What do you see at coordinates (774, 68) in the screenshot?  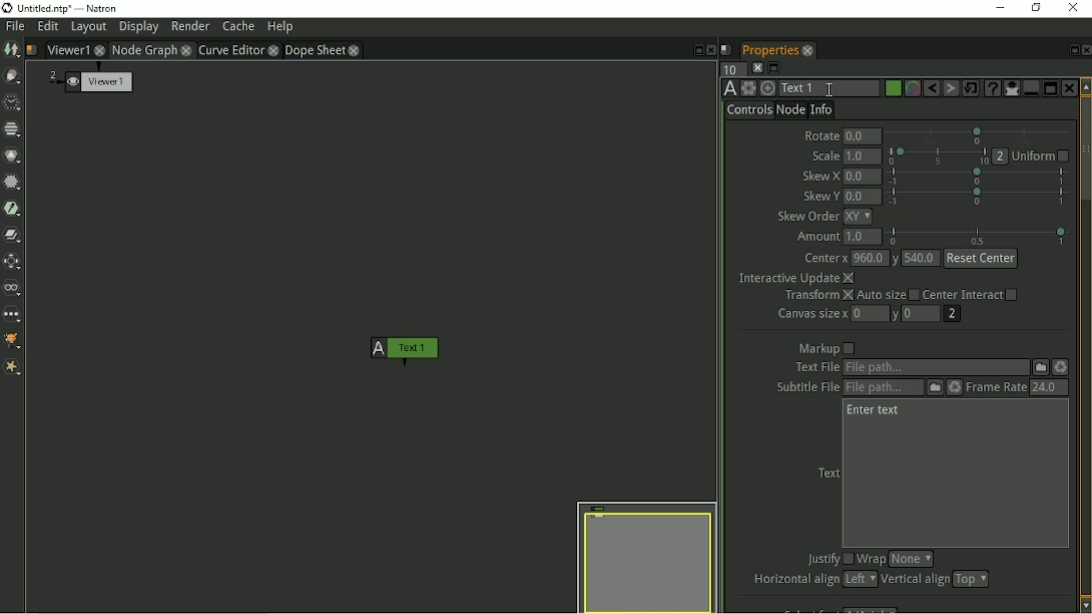 I see `Minimize/maximize all panels` at bounding box center [774, 68].